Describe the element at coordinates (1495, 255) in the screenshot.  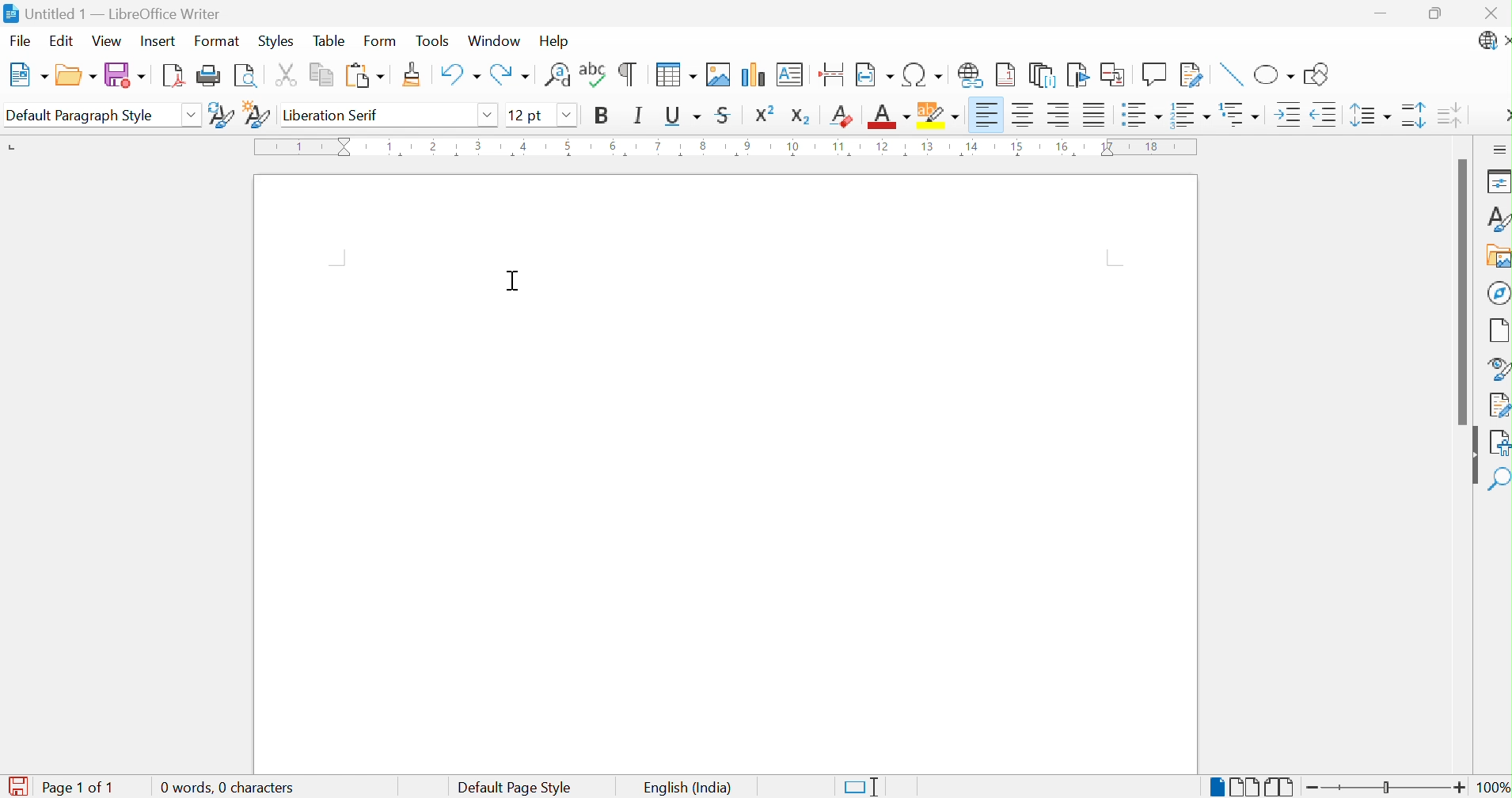
I see `Gallery` at that location.